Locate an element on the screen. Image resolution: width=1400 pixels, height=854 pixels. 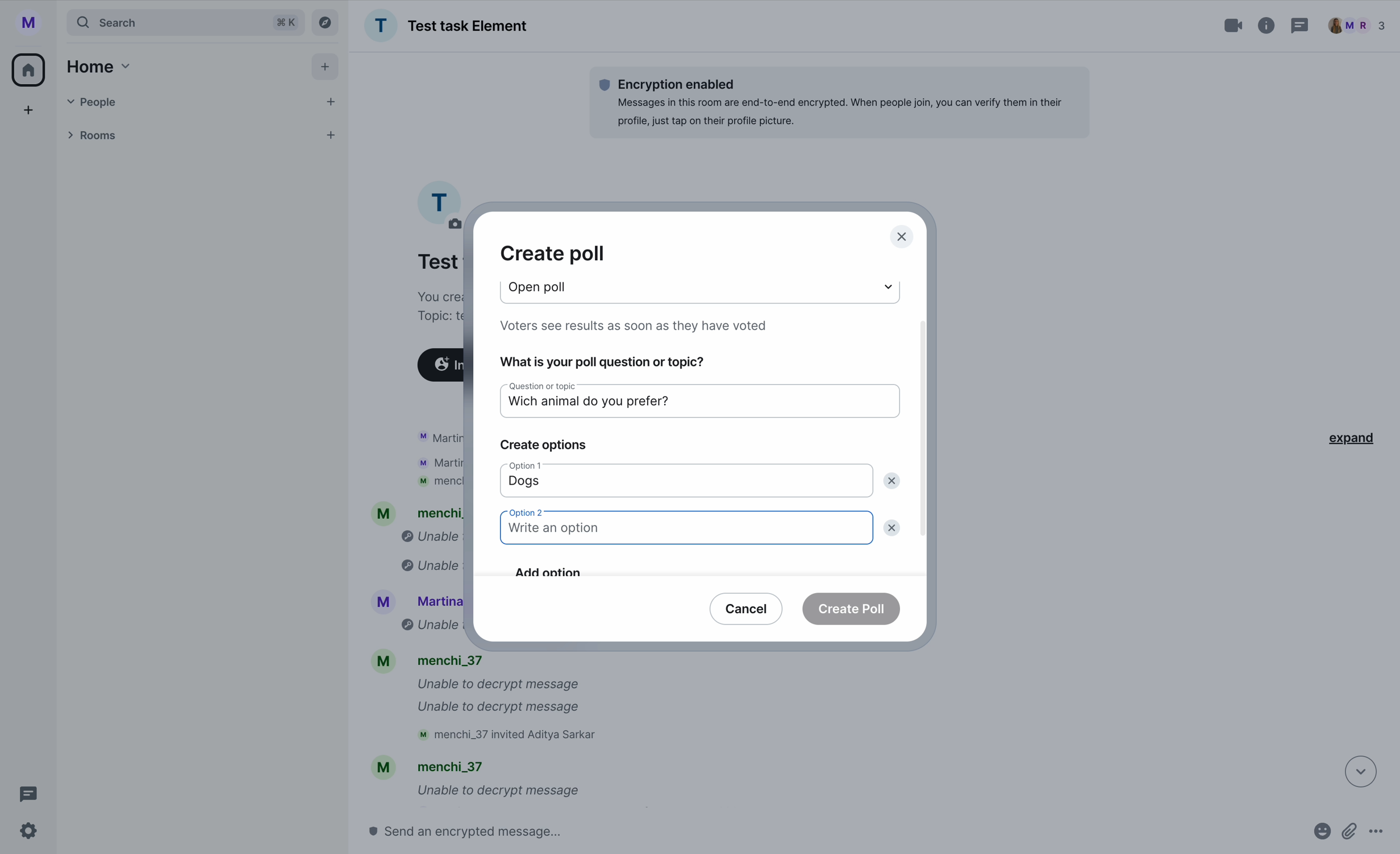
explore is located at coordinates (328, 22).